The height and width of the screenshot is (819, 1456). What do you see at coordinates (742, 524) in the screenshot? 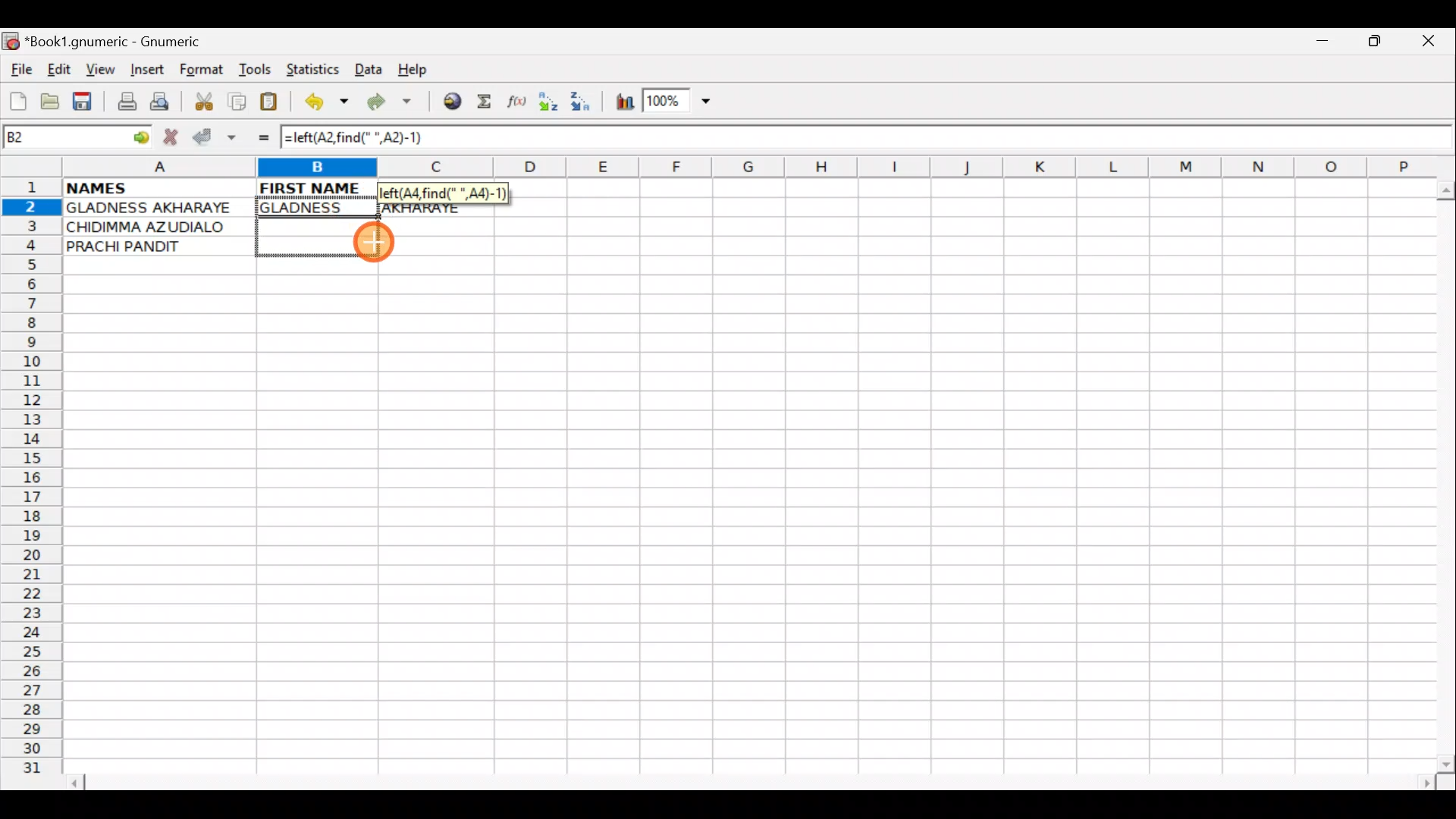
I see `Cells` at bounding box center [742, 524].